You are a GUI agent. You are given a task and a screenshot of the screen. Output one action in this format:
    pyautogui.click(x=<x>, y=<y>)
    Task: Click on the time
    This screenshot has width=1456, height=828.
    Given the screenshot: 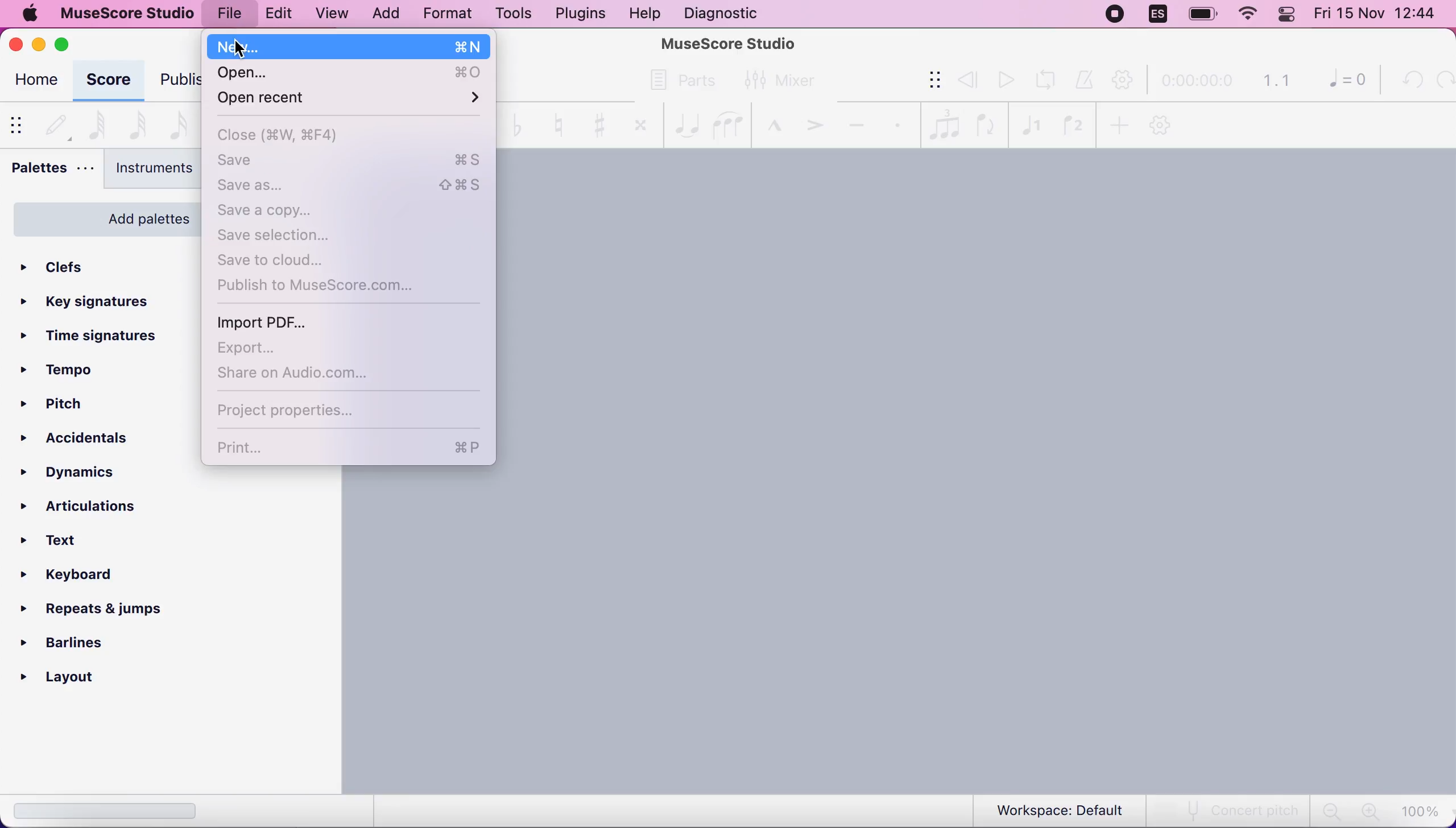 What is the action you would take?
    pyautogui.click(x=1196, y=82)
    